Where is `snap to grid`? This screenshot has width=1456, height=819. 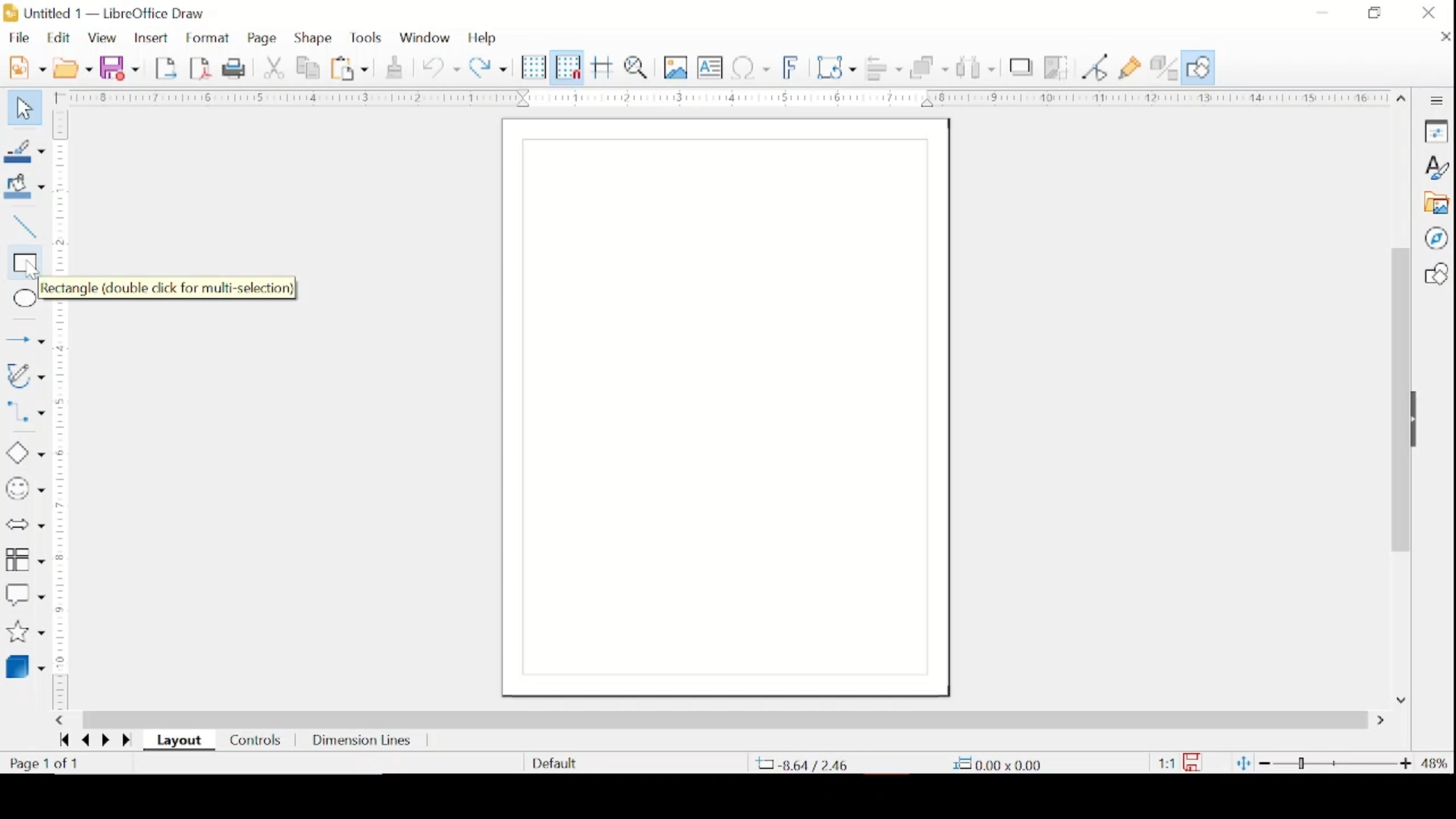
snap to grid is located at coordinates (568, 67).